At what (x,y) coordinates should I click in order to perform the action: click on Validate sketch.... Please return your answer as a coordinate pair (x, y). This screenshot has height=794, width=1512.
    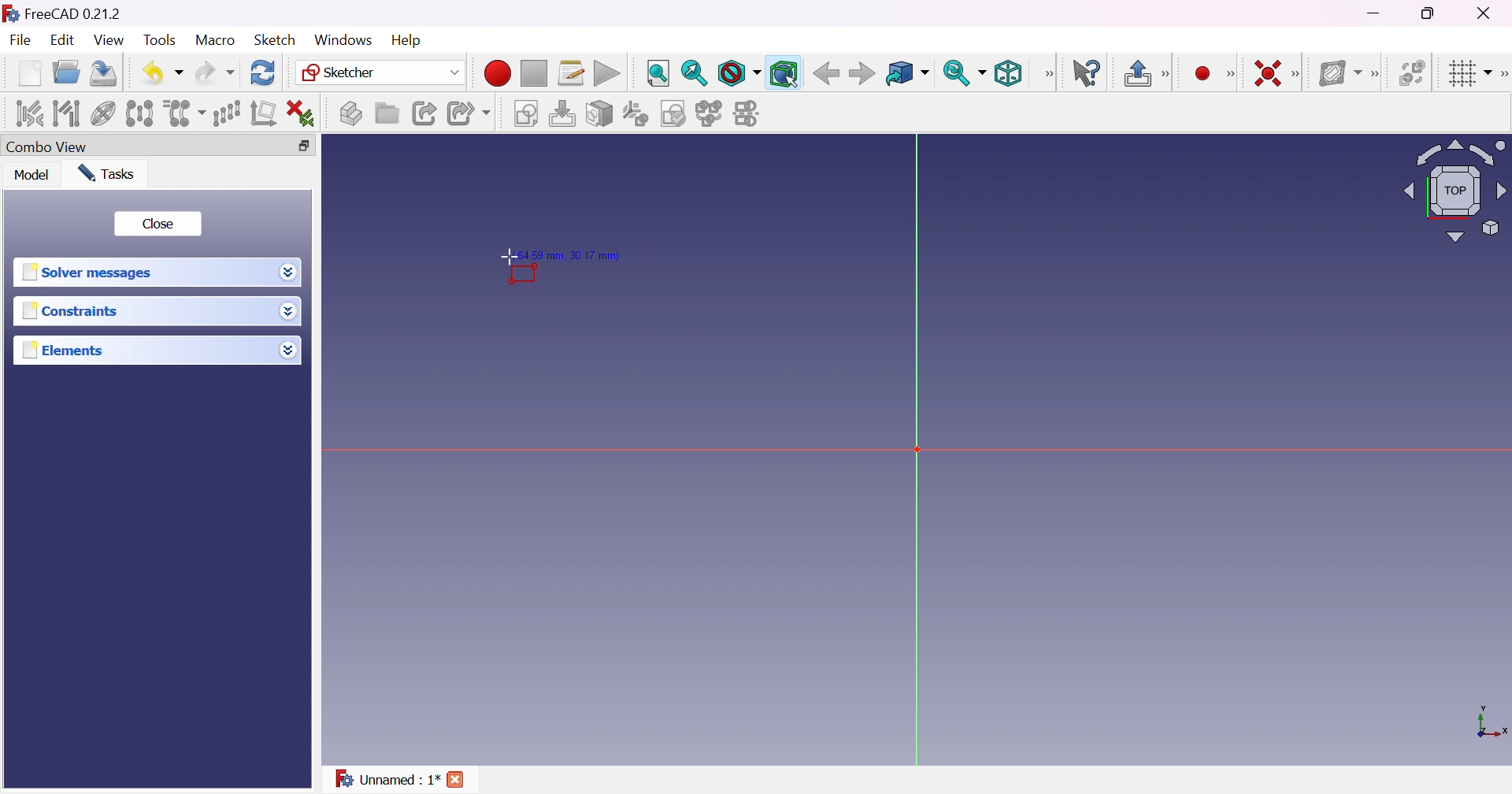
    Looking at the image, I should click on (673, 114).